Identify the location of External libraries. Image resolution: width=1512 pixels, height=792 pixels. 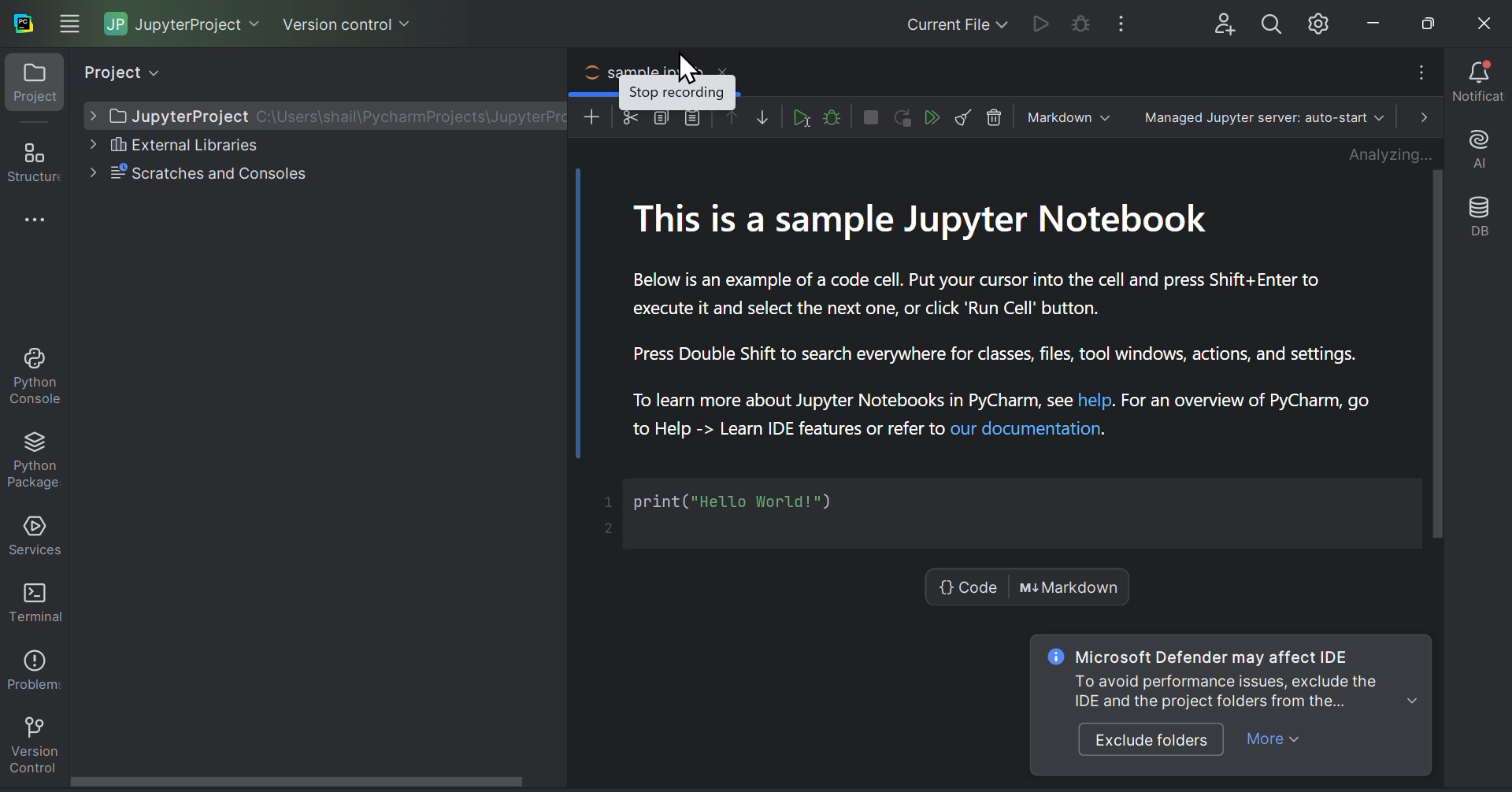
(224, 144).